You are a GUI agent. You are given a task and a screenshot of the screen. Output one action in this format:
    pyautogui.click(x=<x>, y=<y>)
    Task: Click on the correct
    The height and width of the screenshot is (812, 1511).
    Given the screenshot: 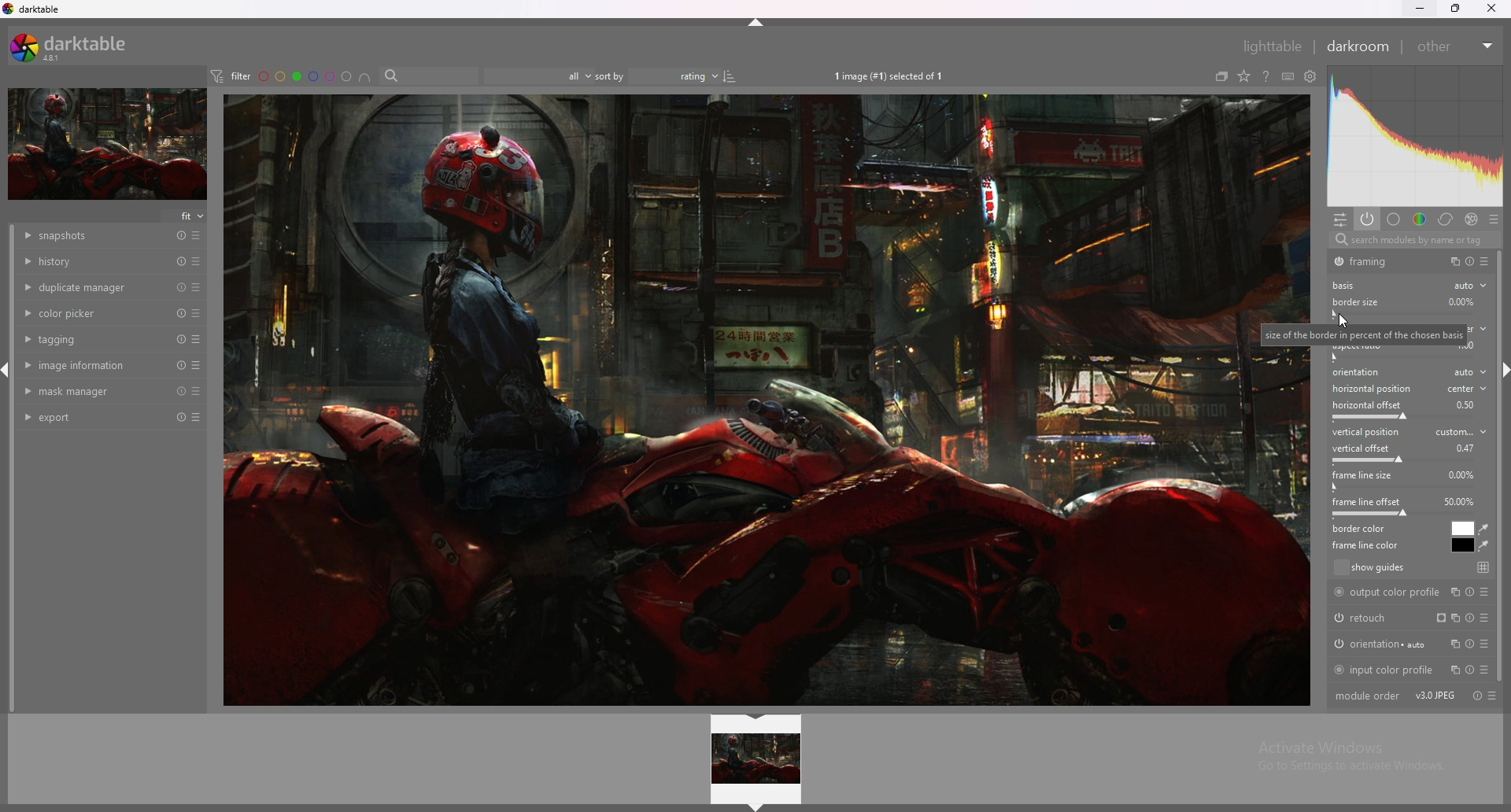 What is the action you would take?
    pyautogui.click(x=1444, y=220)
    